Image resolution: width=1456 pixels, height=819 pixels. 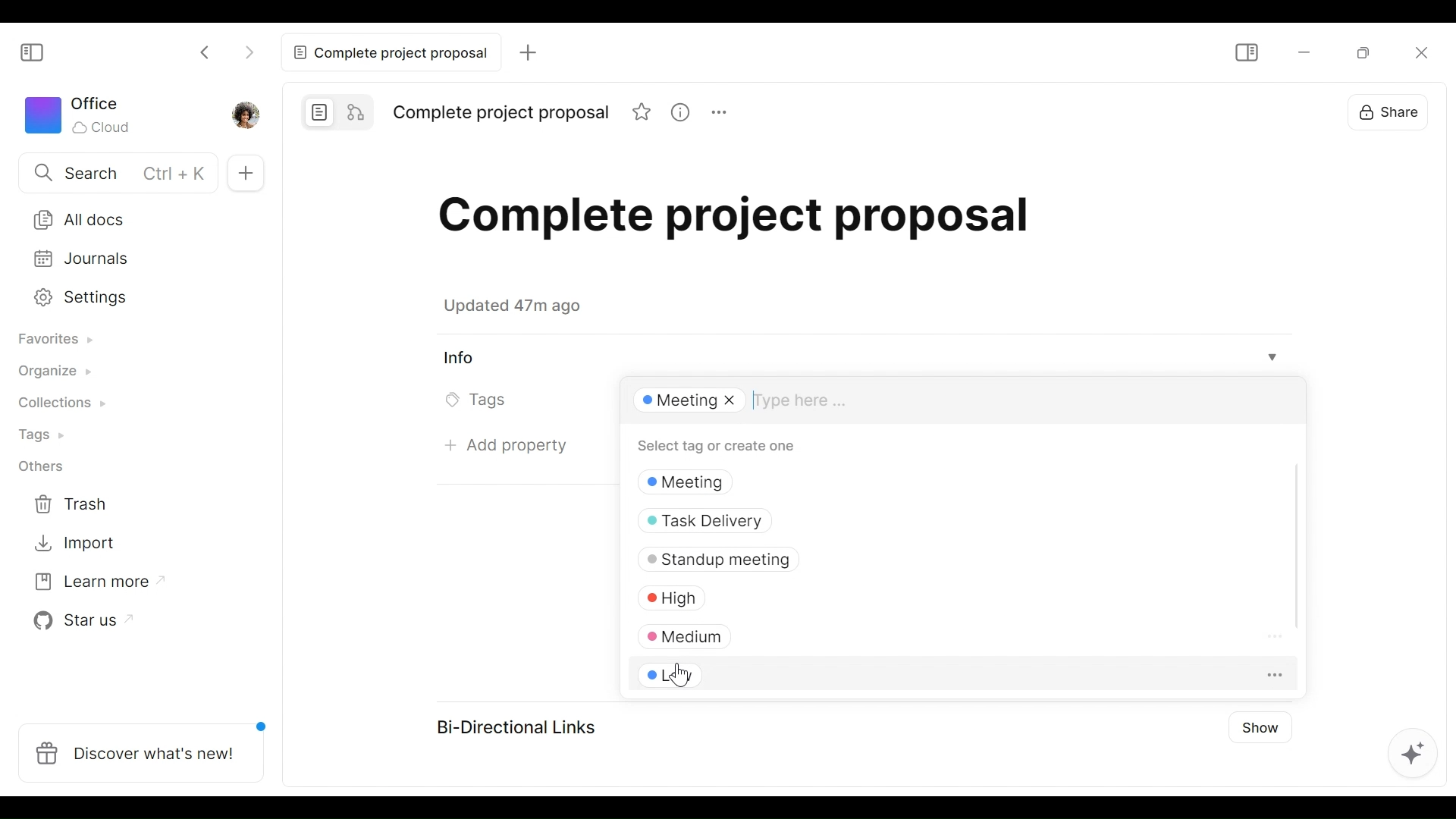 I want to click on Click to go forward, so click(x=249, y=50).